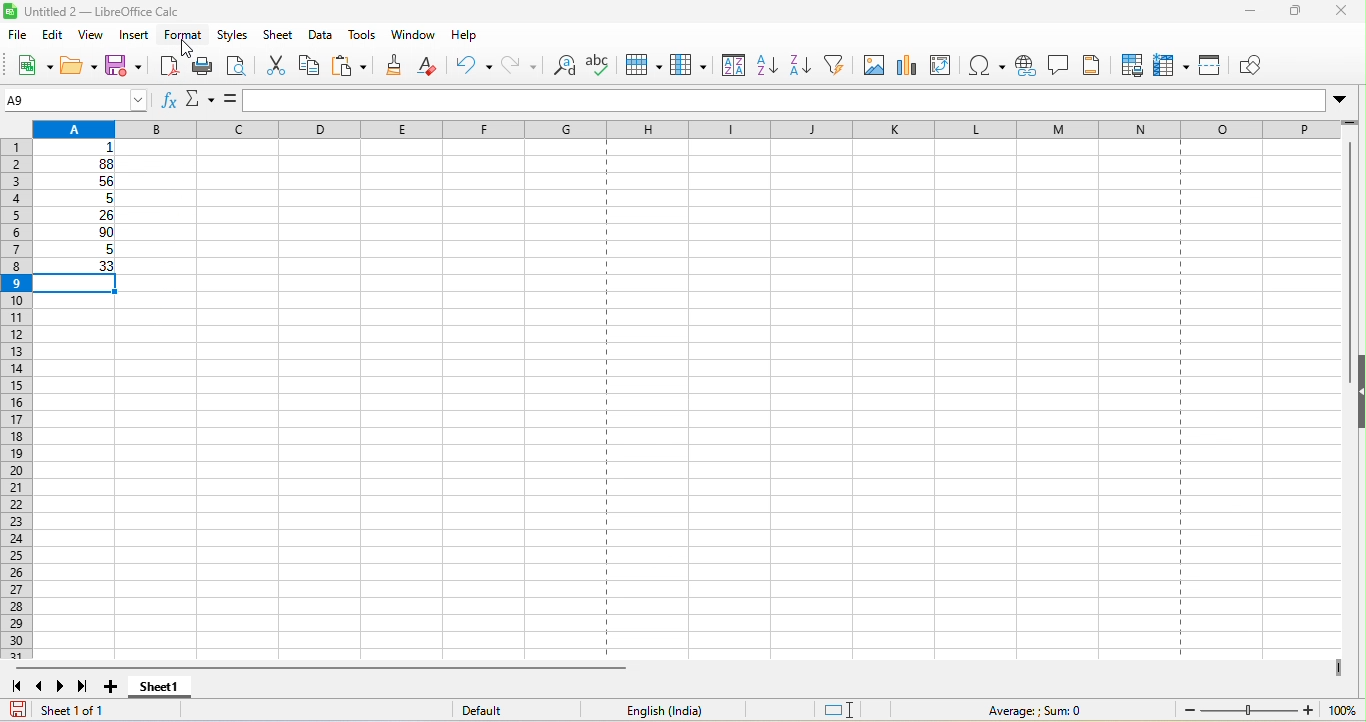 The image size is (1366, 722). I want to click on new, so click(28, 64).